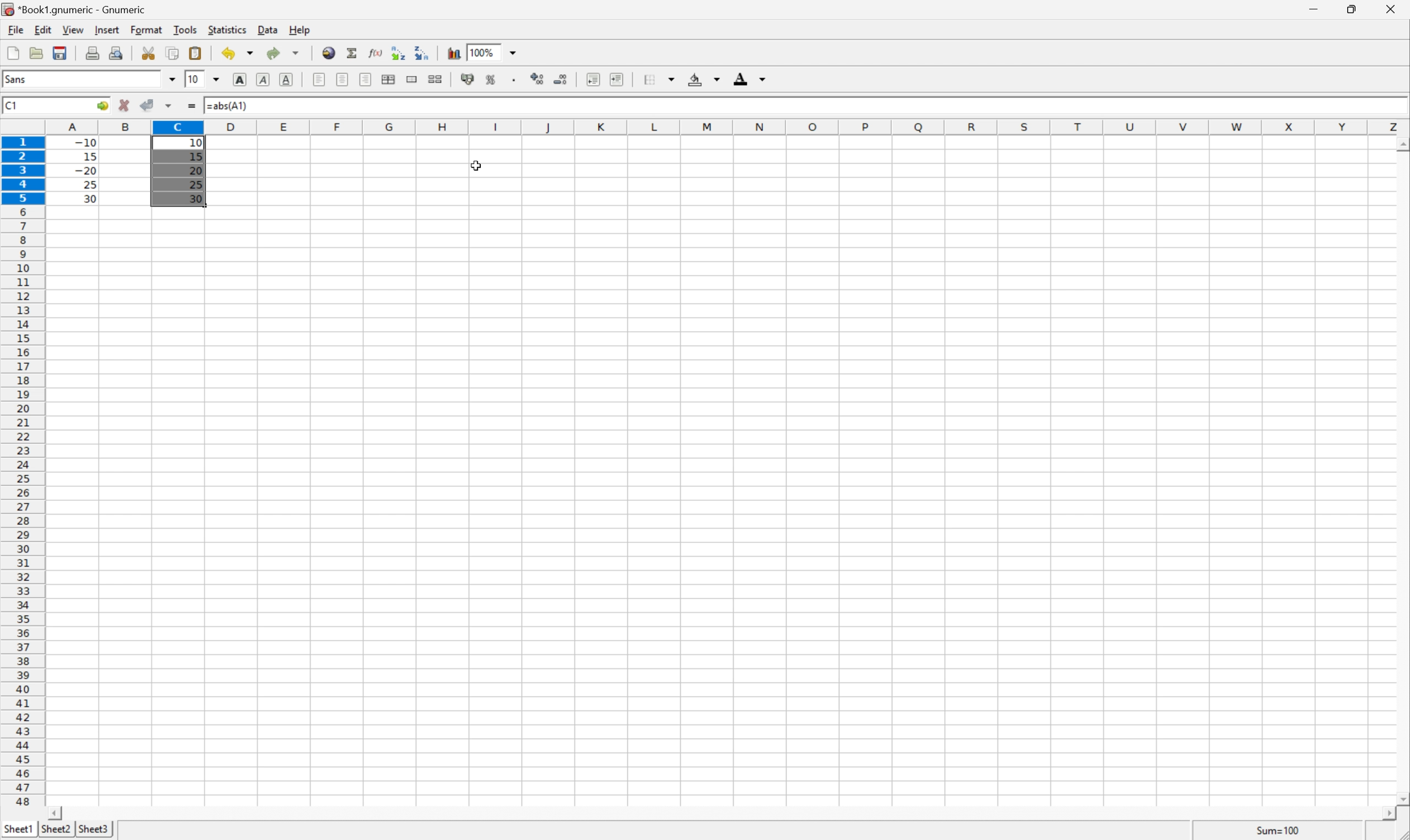 The image size is (1410, 840). Describe the element at coordinates (288, 78) in the screenshot. I see `Underline` at that location.